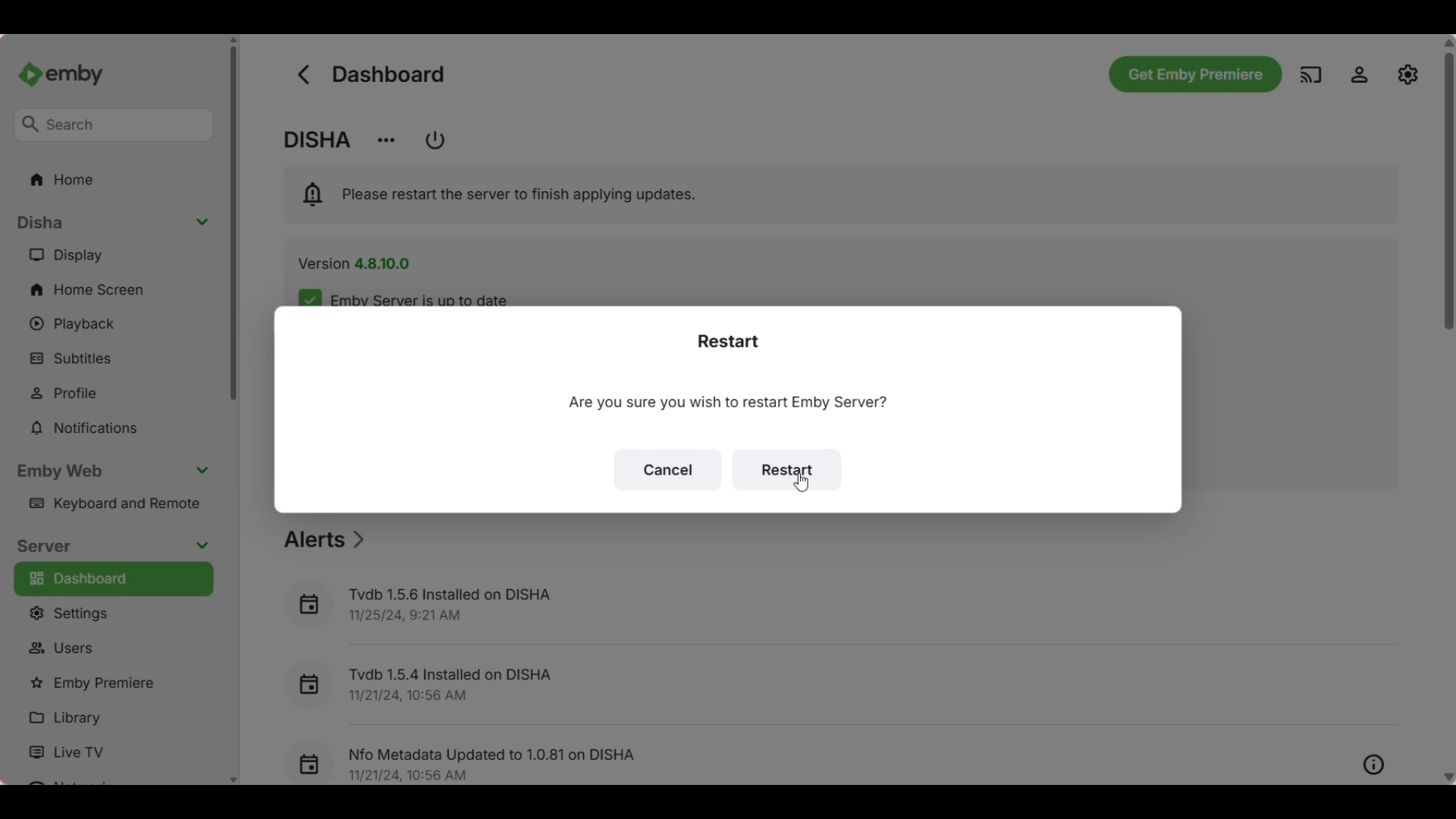 The width and height of the screenshot is (1456, 819). Describe the element at coordinates (1374, 765) in the screenshot. I see `Overview of respective listed alert` at that location.